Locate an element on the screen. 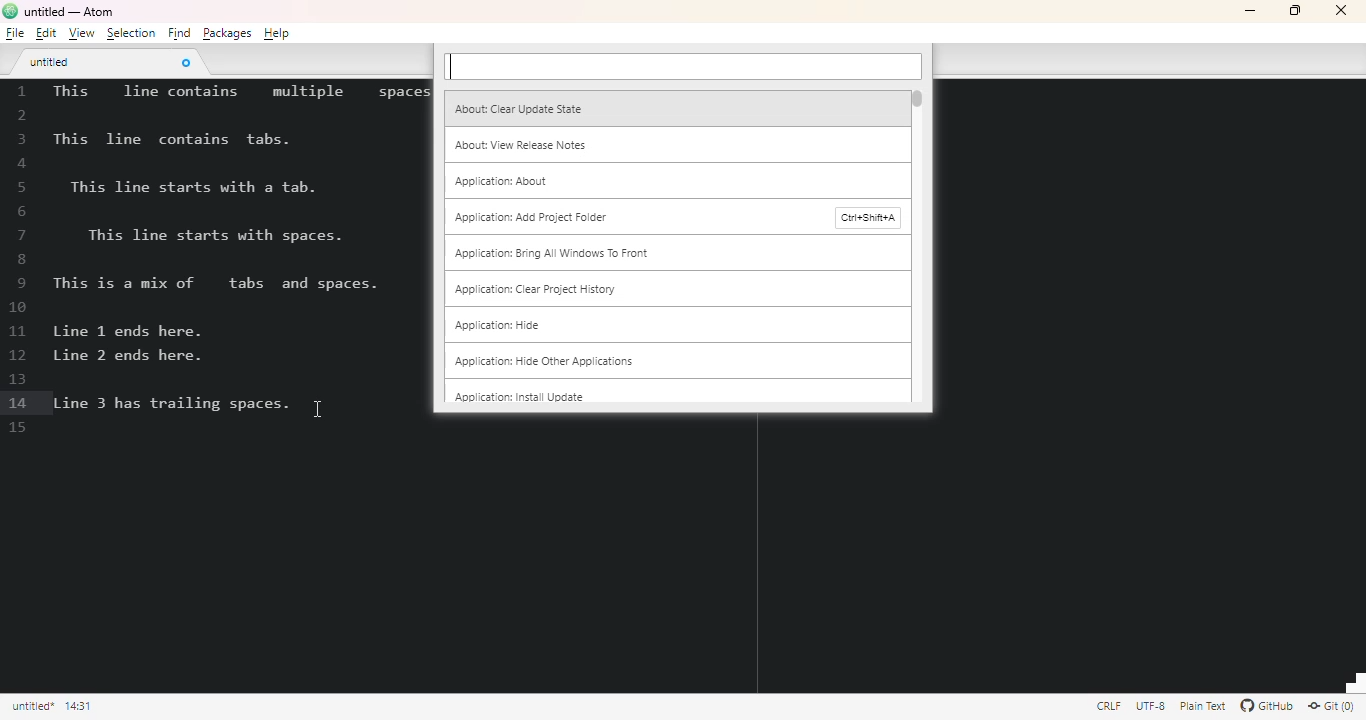 The height and width of the screenshot is (720, 1366). application: hide is located at coordinates (498, 326).